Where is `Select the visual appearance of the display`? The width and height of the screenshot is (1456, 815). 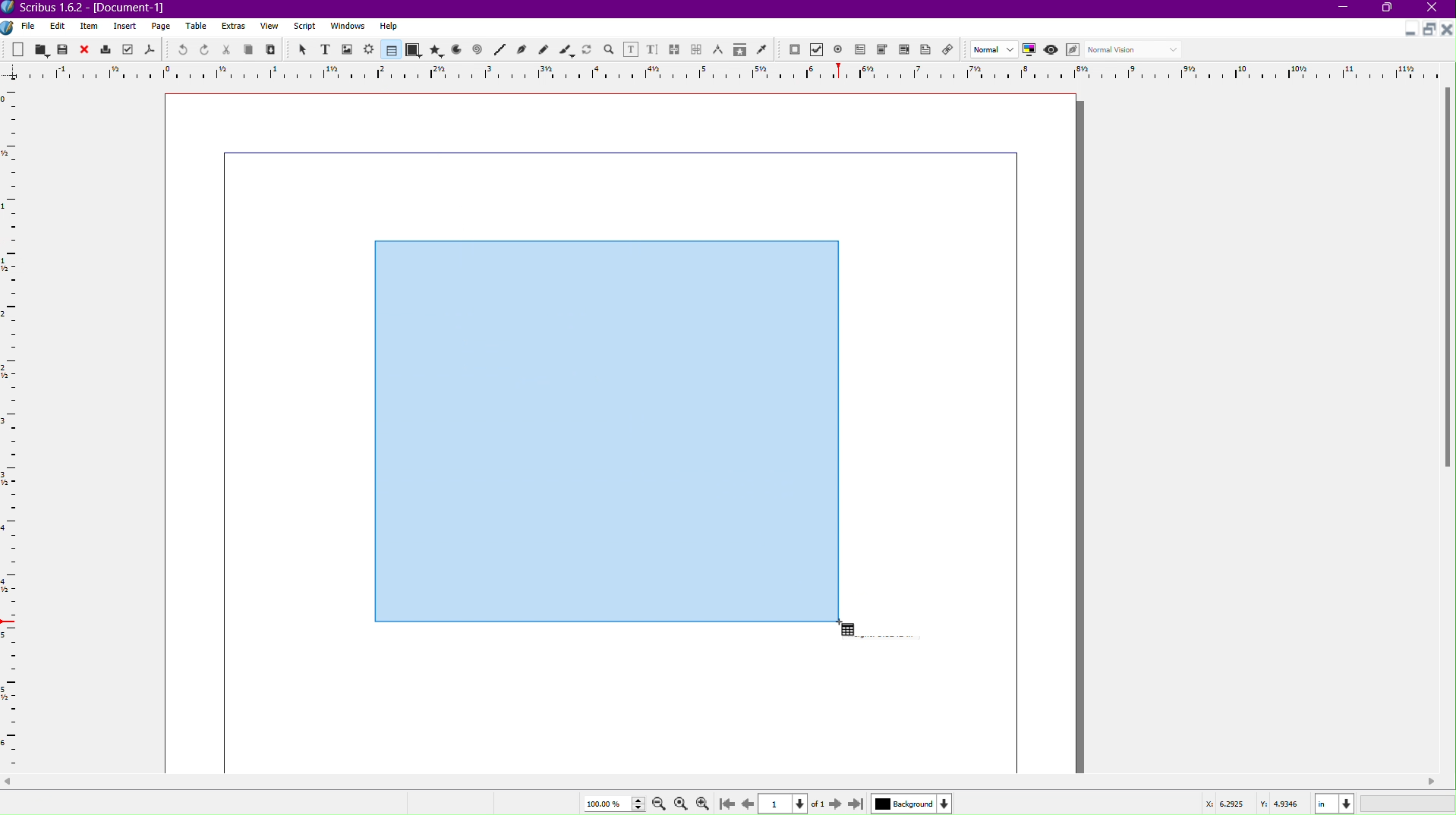 Select the visual appearance of the display is located at coordinates (1136, 50).